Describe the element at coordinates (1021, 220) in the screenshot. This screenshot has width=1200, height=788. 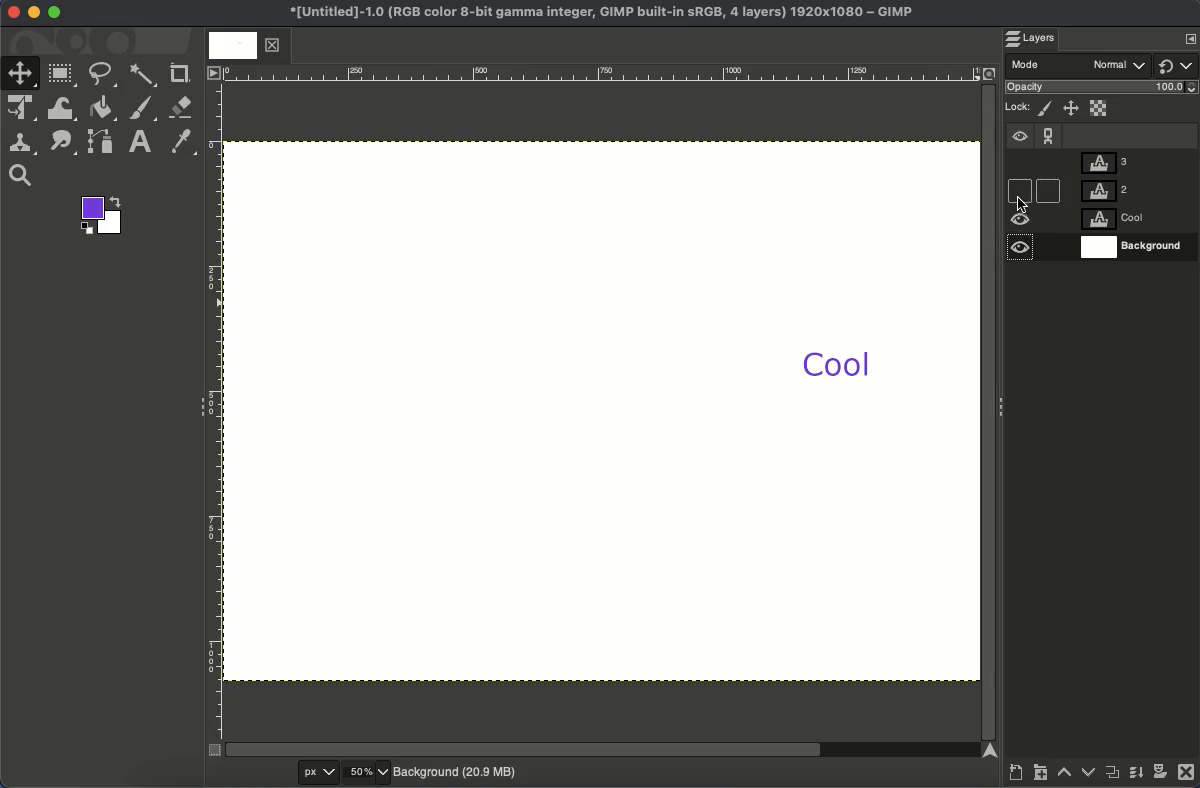
I see `Visible` at that location.